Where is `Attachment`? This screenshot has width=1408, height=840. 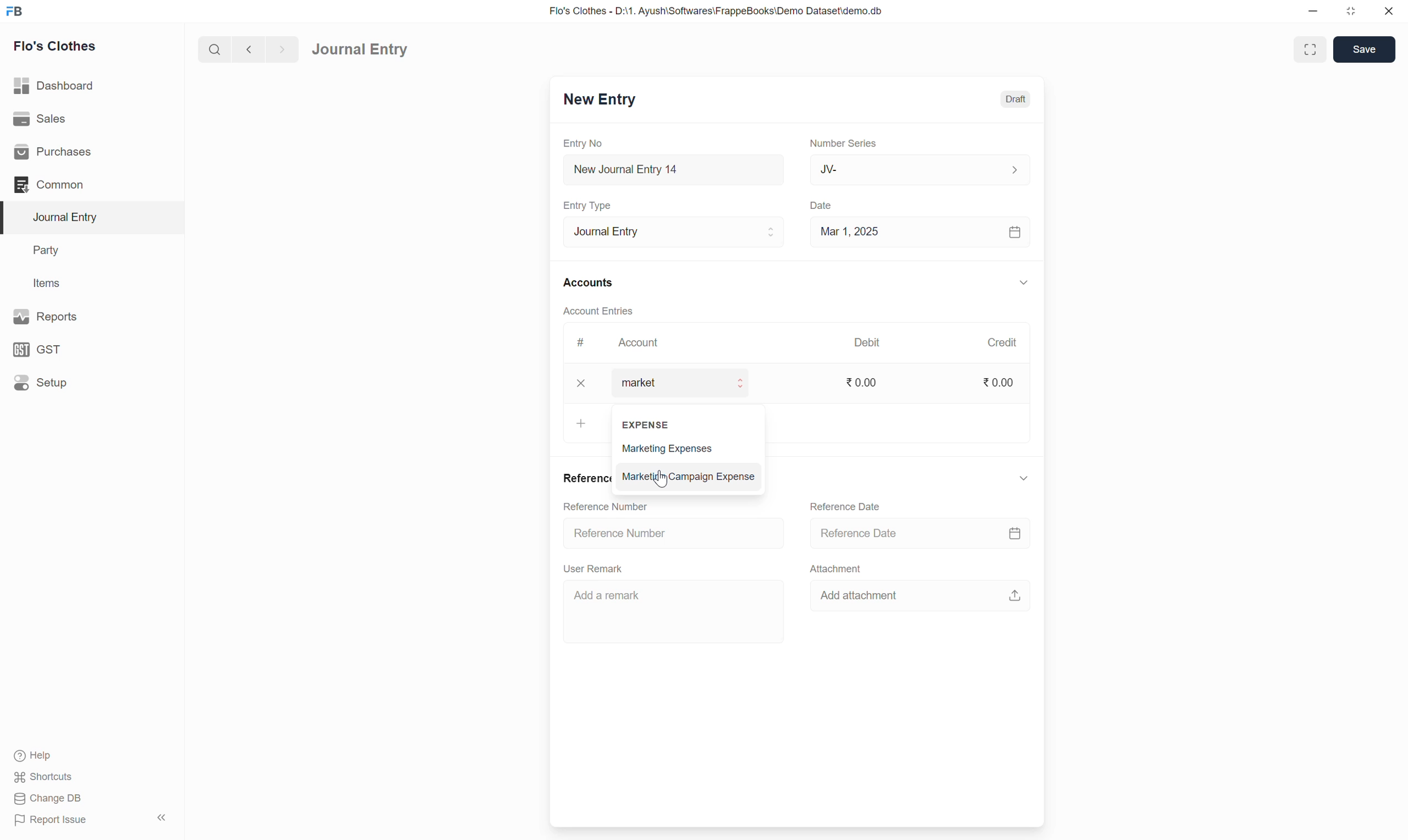
Attachment is located at coordinates (837, 568).